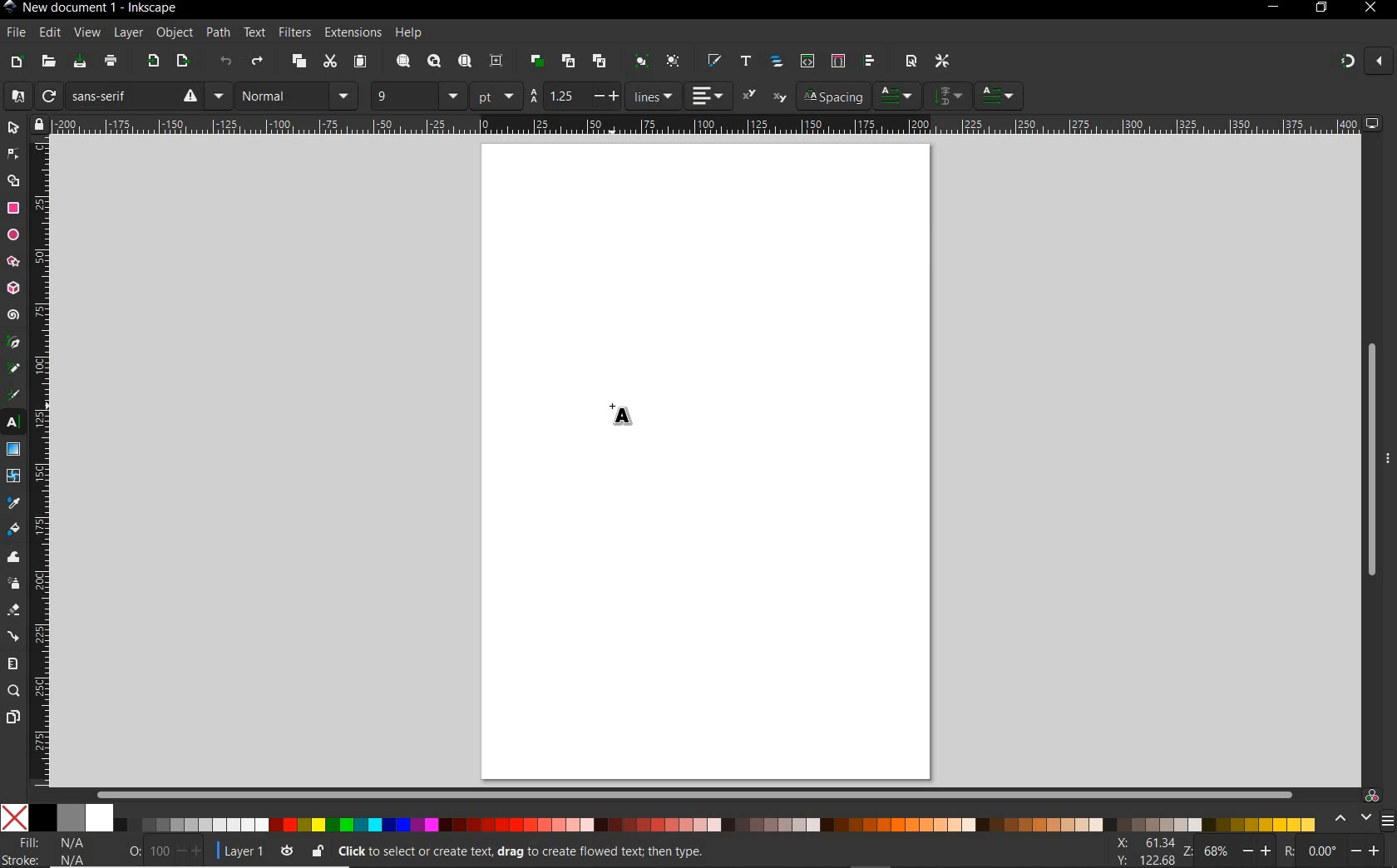 This screenshot has width=1397, height=868. What do you see at coordinates (639, 61) in the screenshot?
I see `group` at bounding box center [639, 61].